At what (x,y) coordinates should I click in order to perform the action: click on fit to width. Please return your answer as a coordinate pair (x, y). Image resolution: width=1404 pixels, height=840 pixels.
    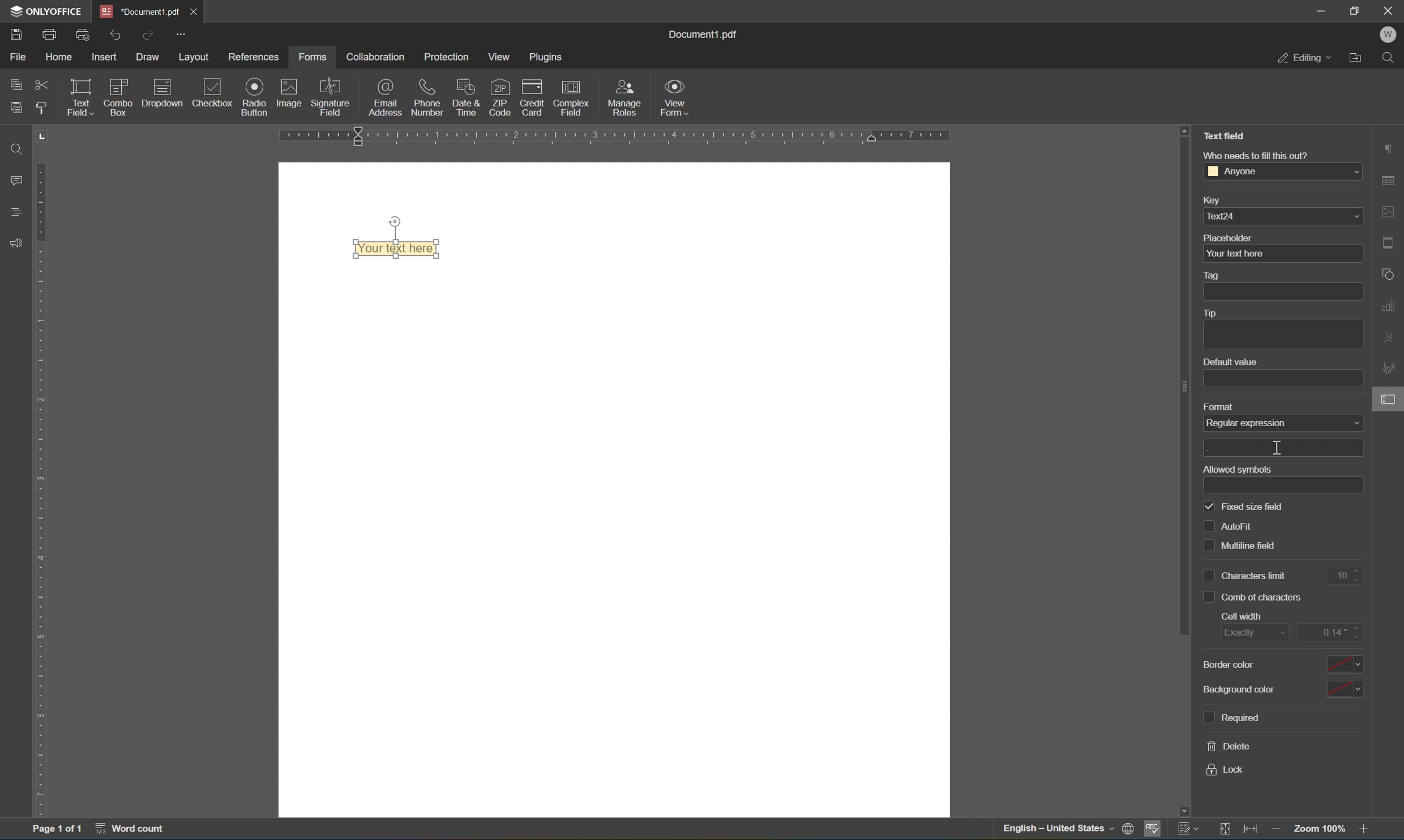
    Looking at the image, I should click on (1252, 831).